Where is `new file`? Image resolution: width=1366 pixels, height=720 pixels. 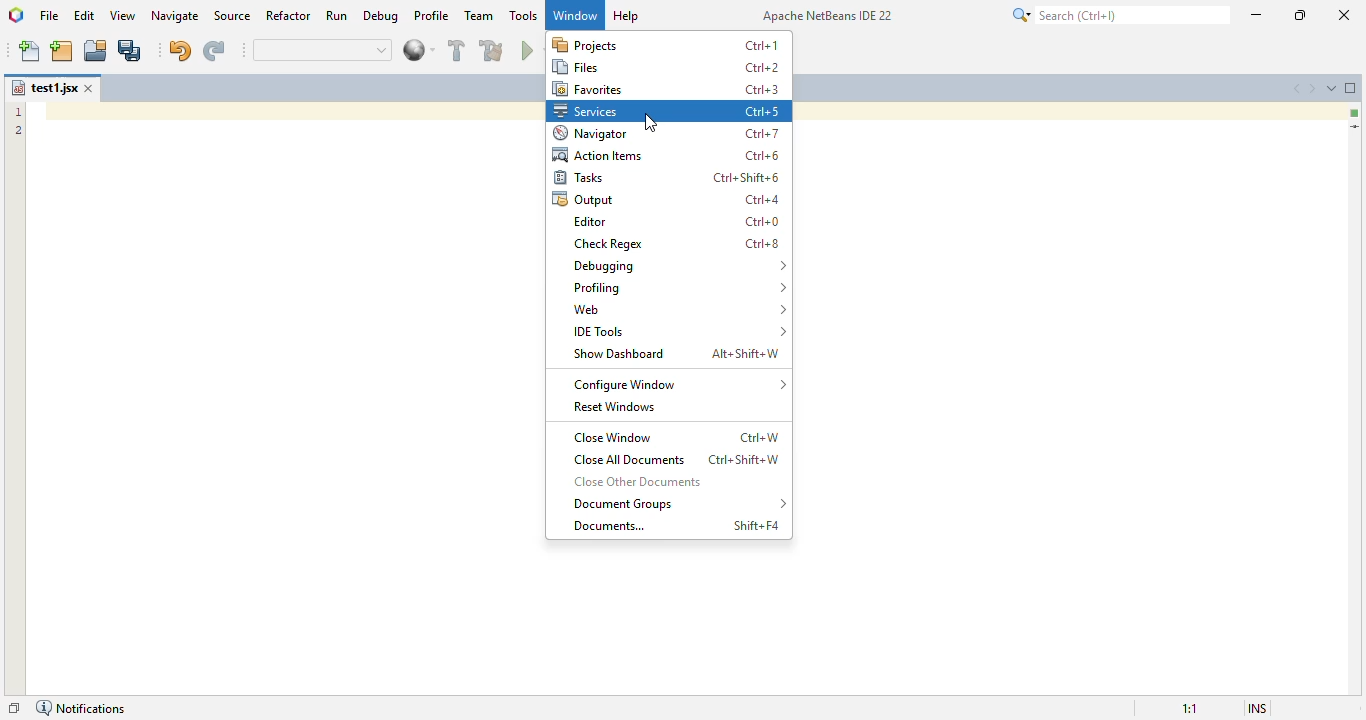 new file is located at coordinates (29, 50).